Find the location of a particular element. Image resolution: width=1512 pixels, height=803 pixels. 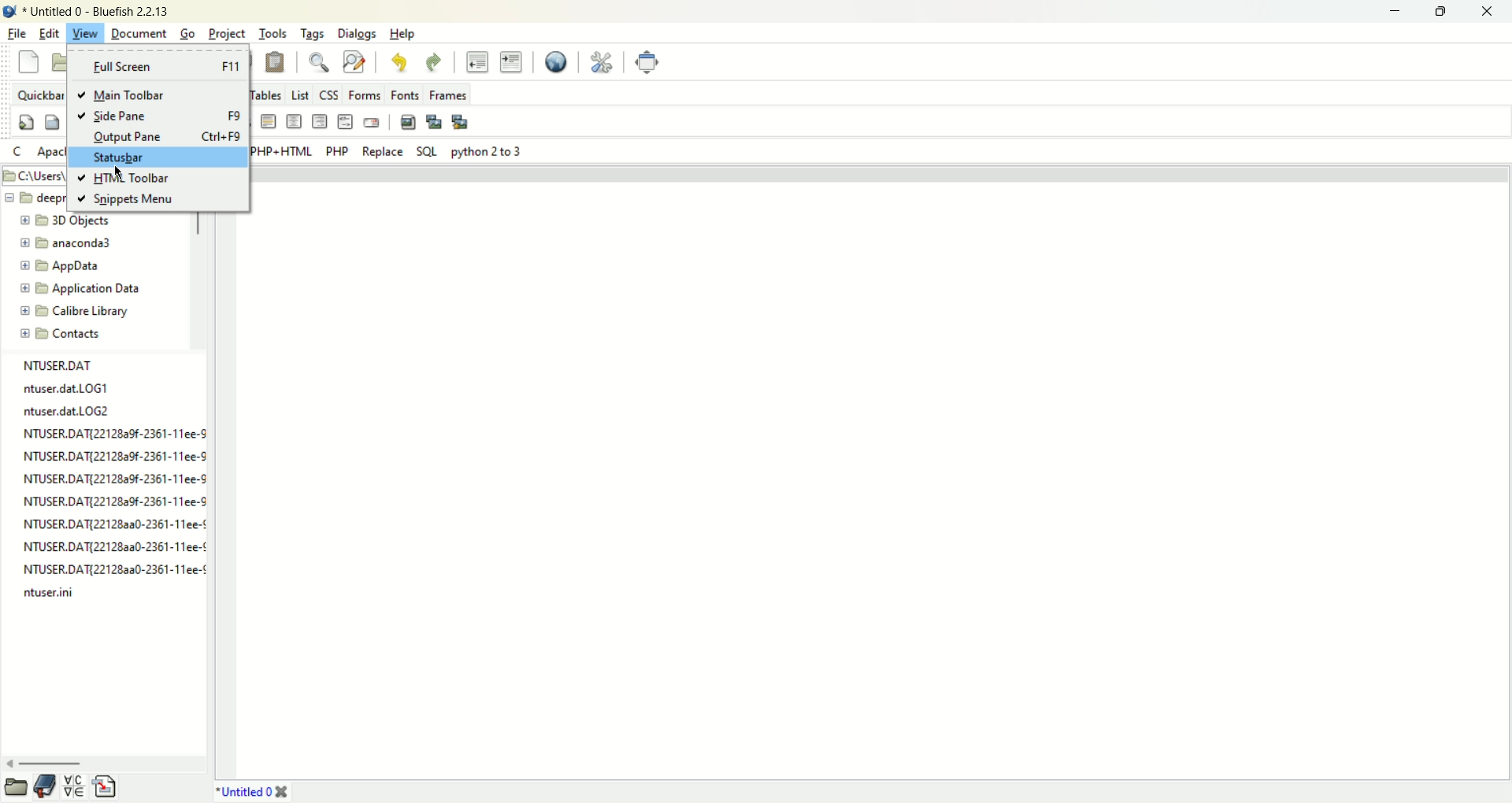

fullscreen is located at coordinates (648, 61).